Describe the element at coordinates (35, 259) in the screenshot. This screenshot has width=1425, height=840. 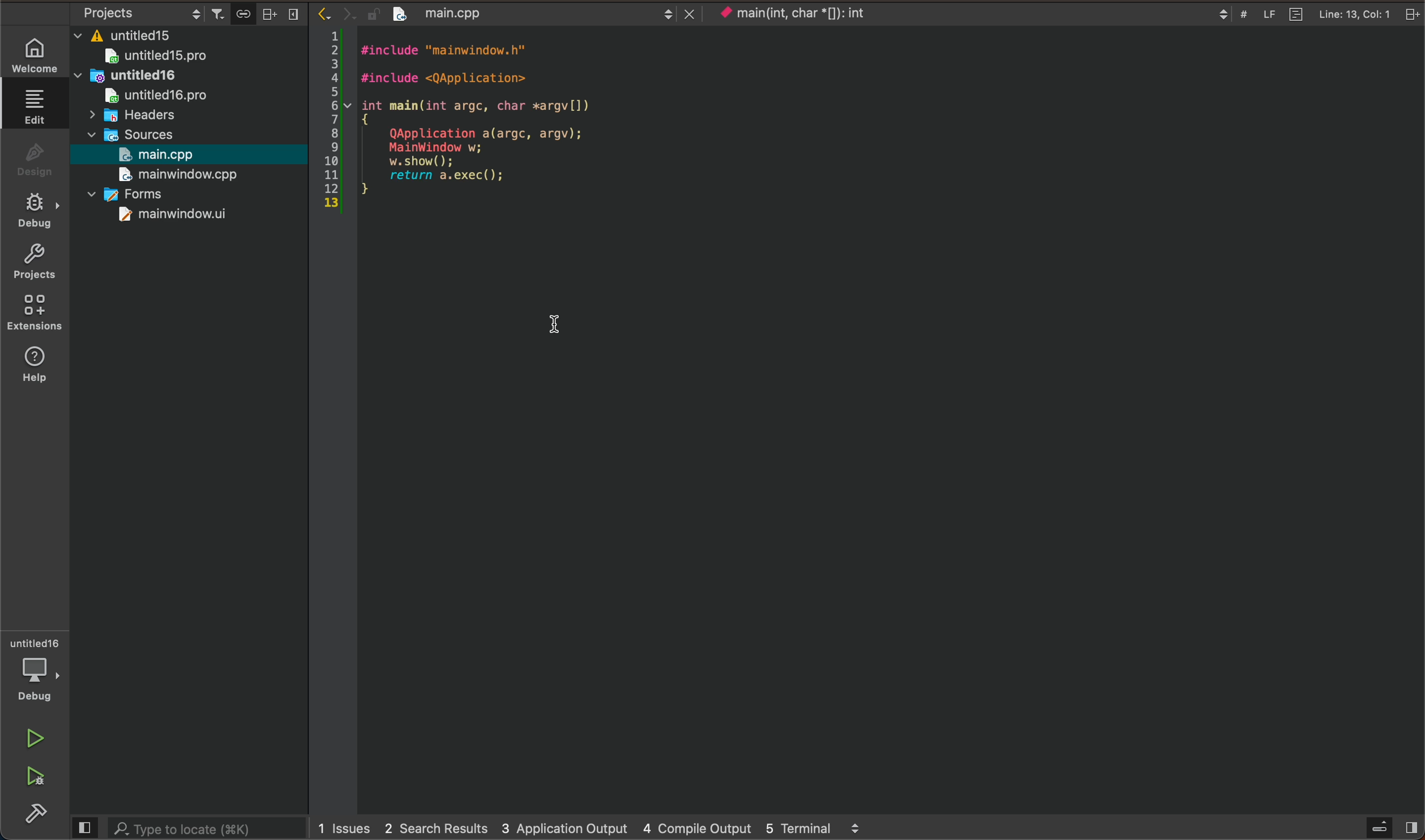
I see `projects` at that location.